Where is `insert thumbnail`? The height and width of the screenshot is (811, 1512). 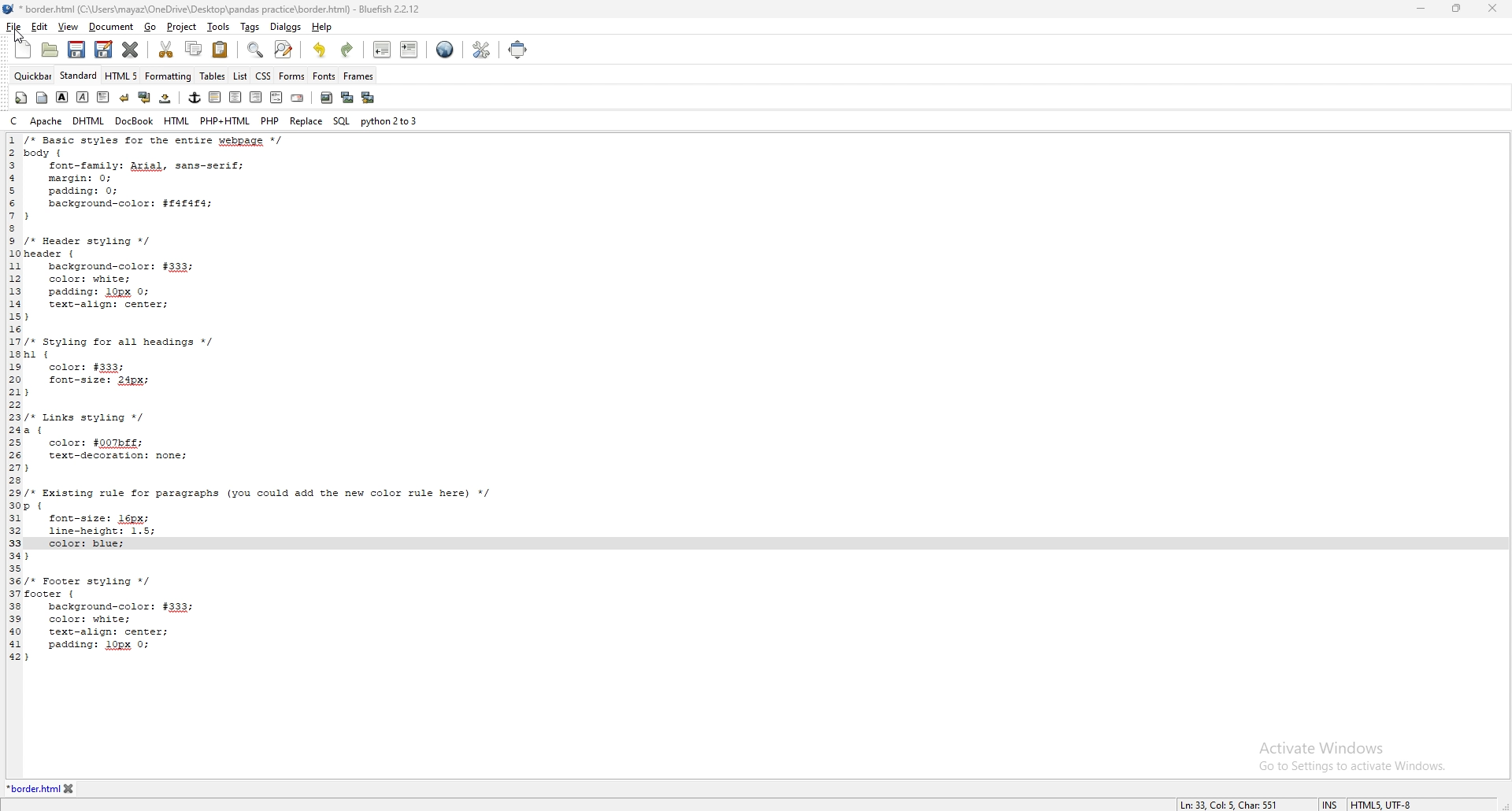
insert thumbnail is located at coordinates (347, 98).